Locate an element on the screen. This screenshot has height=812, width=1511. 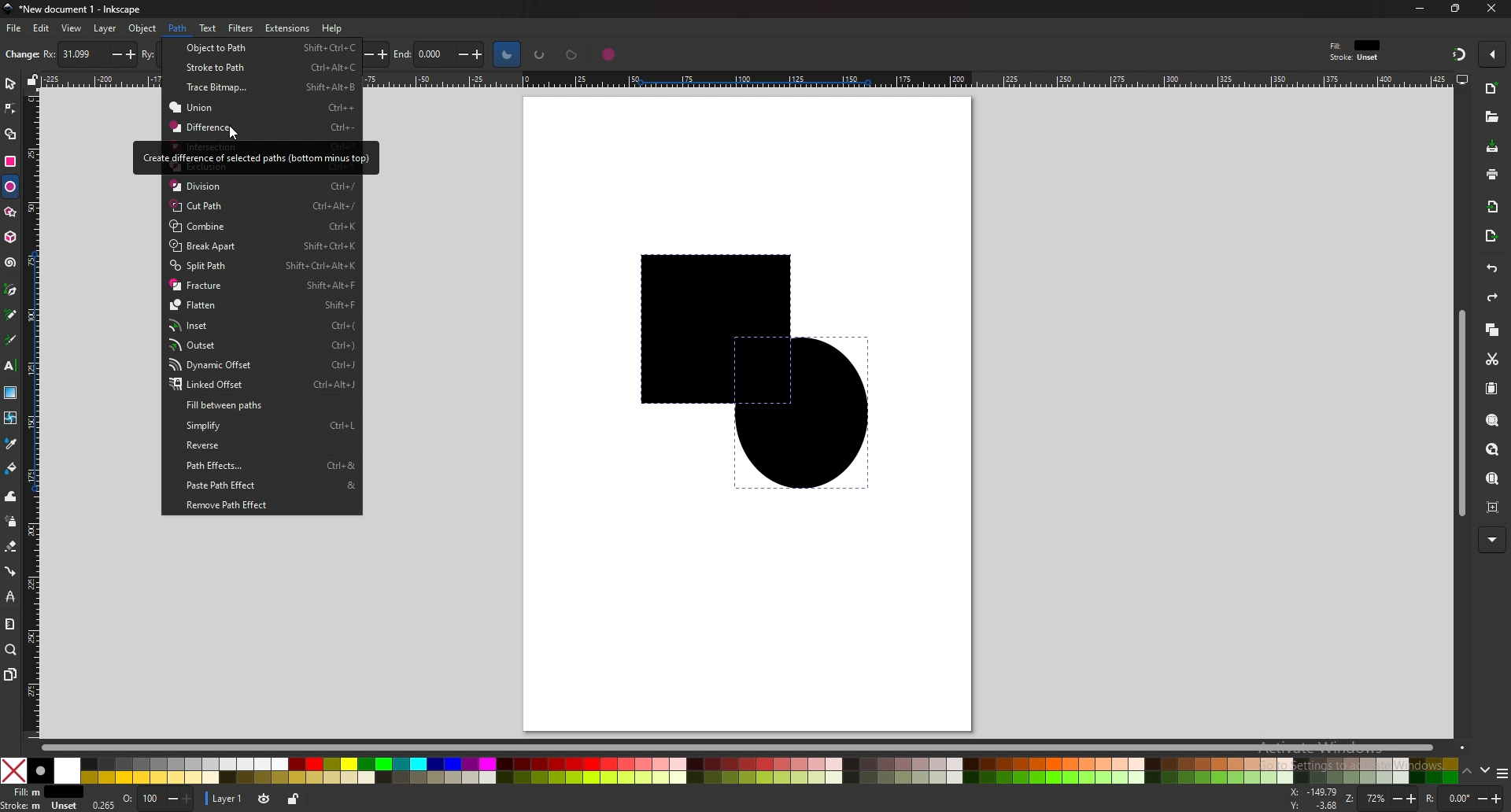
title is located at coordinates (71, 9).